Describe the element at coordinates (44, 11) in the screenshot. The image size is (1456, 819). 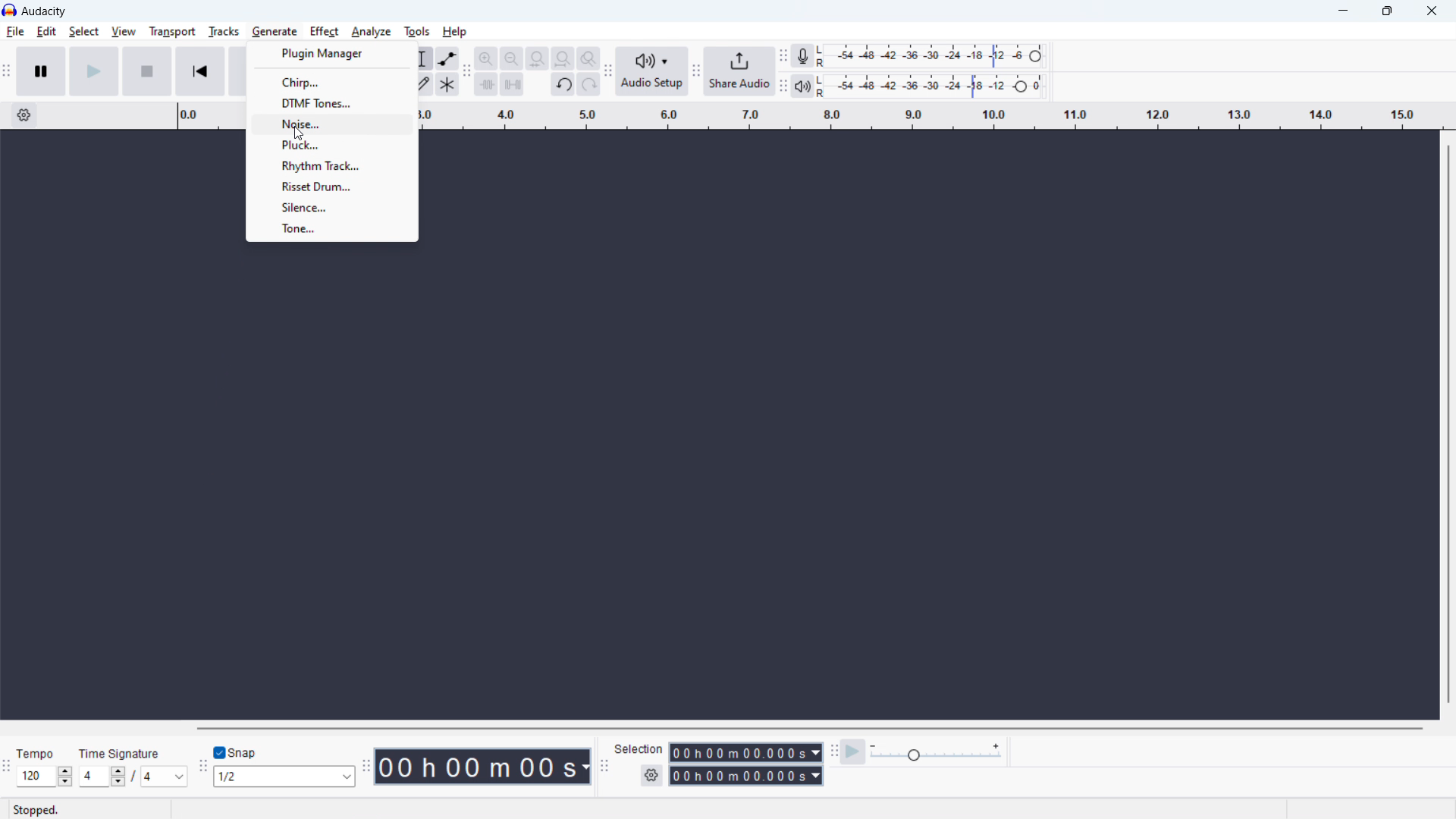
I see `title` at that location.